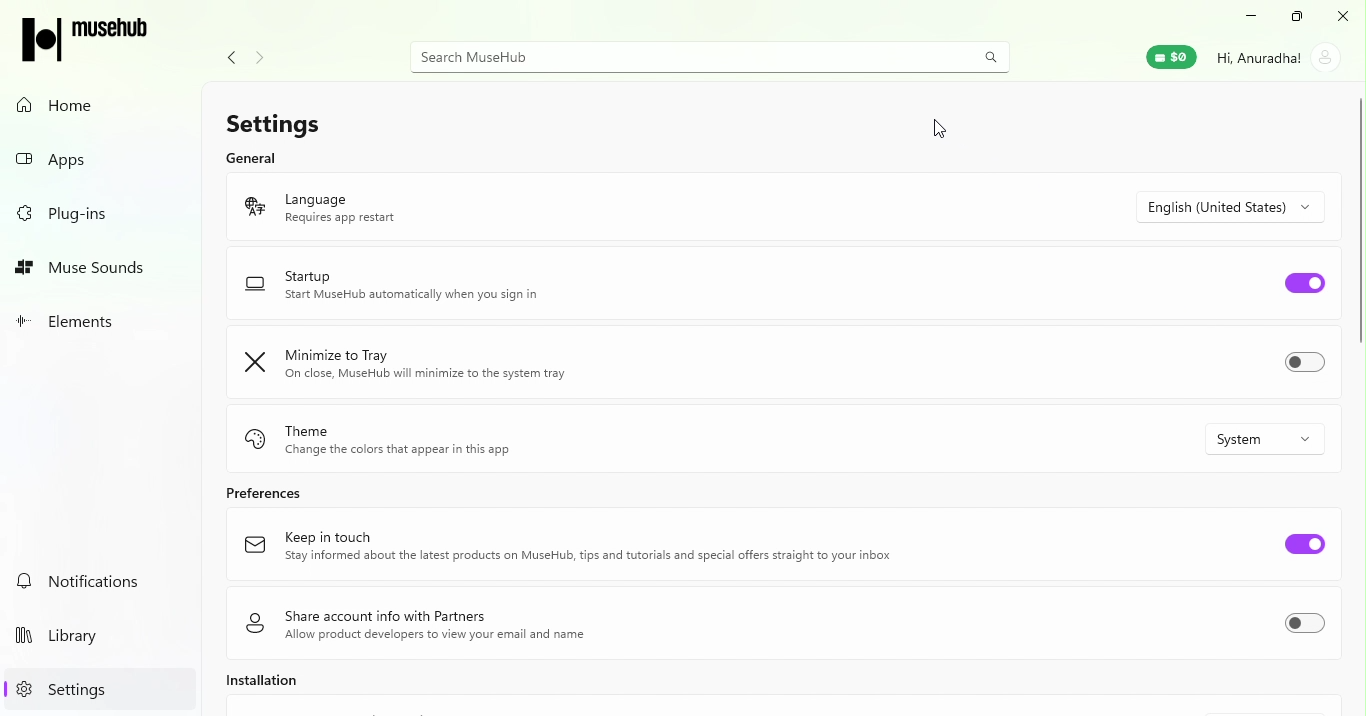 Image resolution: width=1366 pixels, height=716 pixels. I want to click on scroll bar, so click(1357, 223).